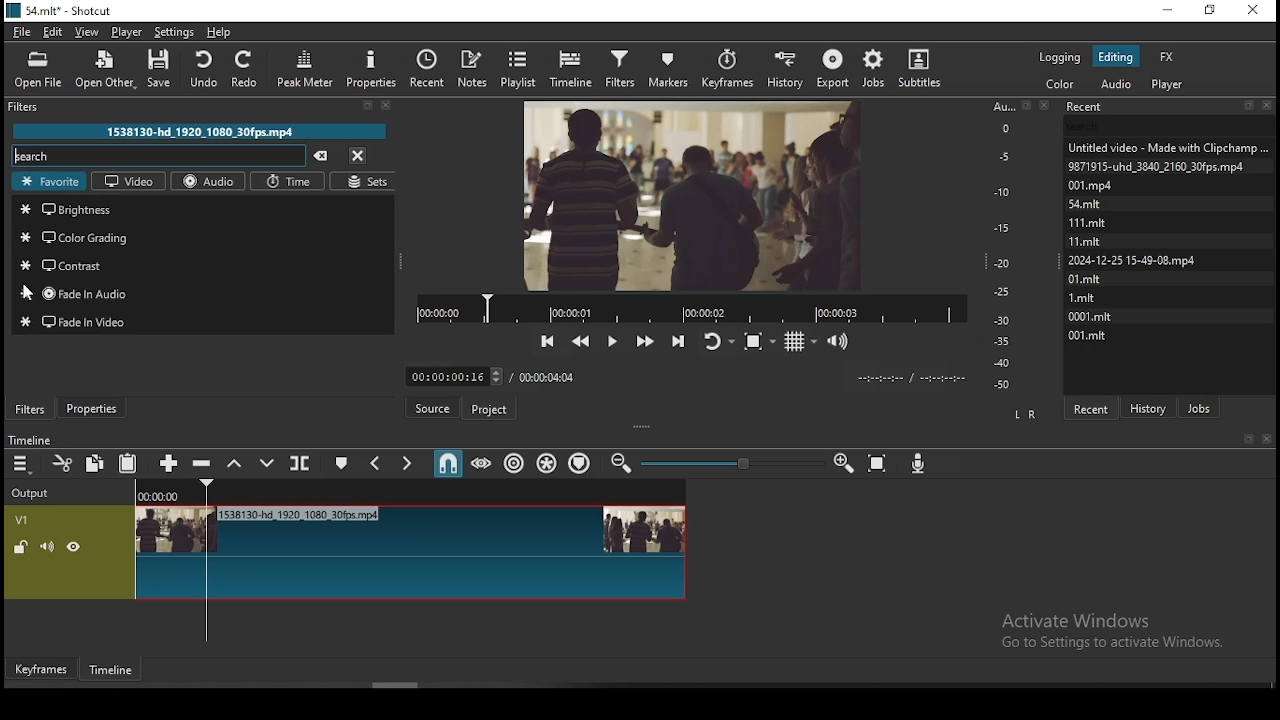 Image resolution: width=1280 pixels, height=720 pixels. Describe the element at coordinates (28, 441) in the screenshot. I see `timeline` at that location.